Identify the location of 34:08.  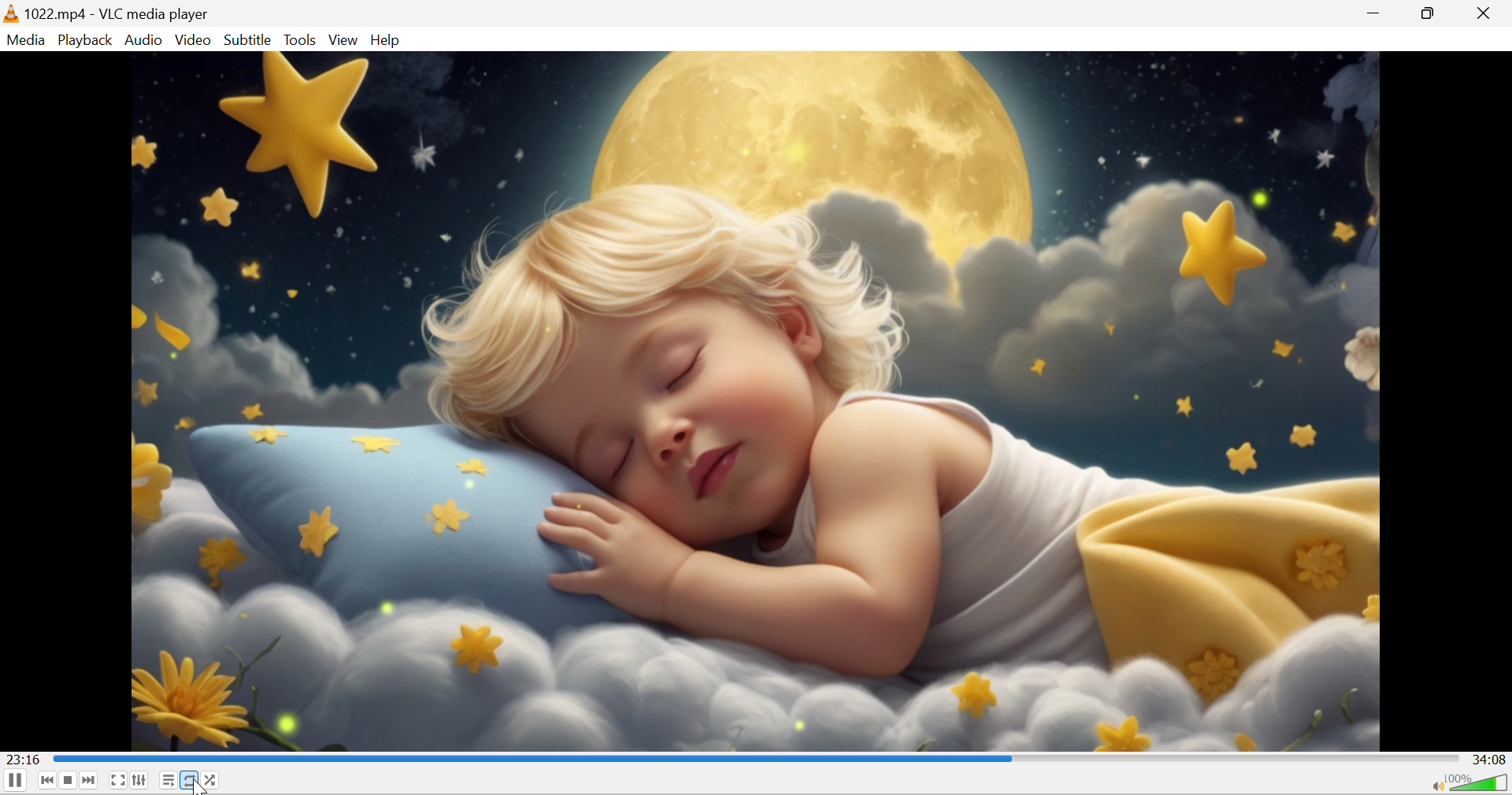
(1490, 760).